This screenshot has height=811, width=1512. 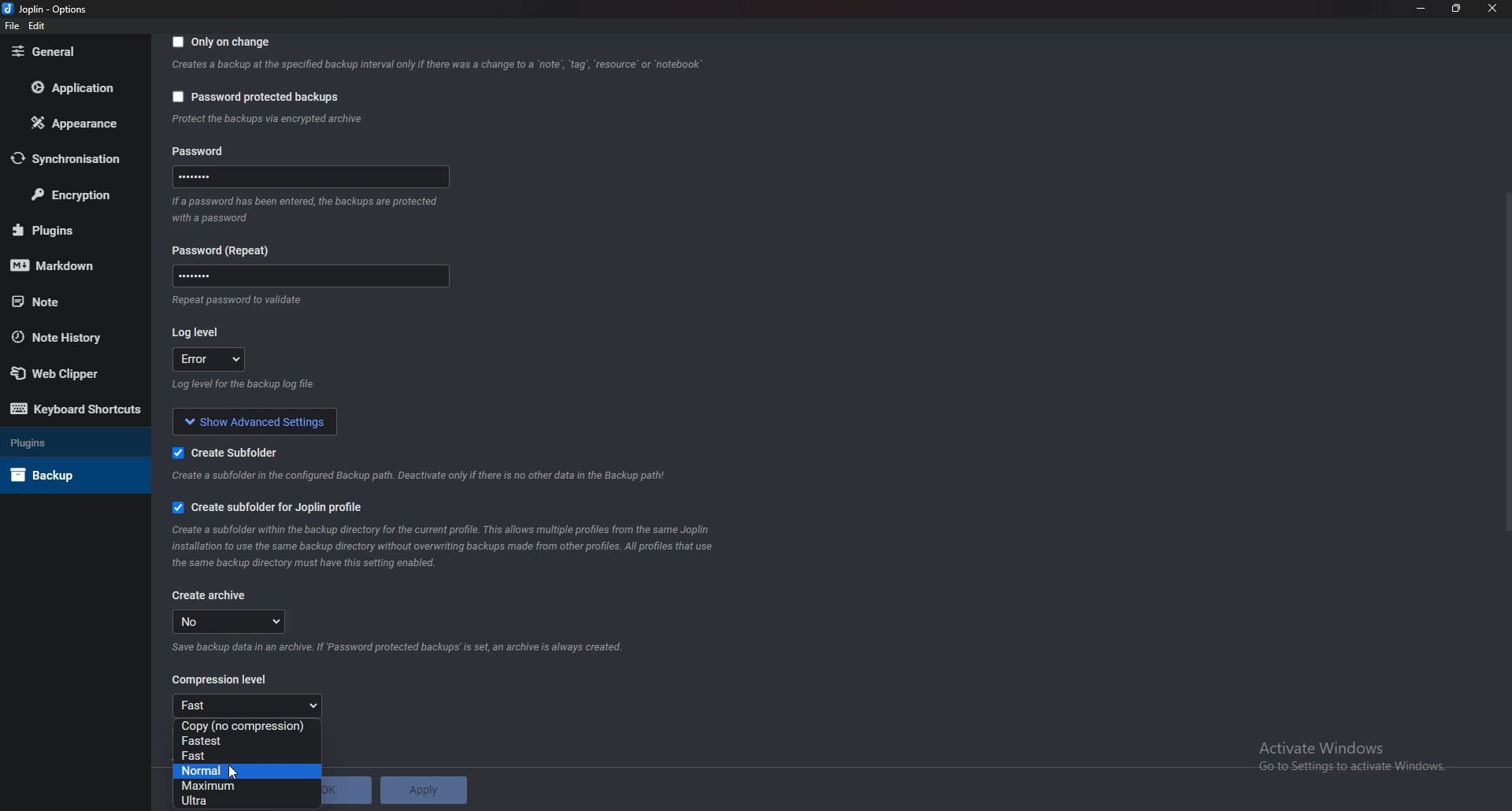 I want to click on Password, so click(x=308, y=275).